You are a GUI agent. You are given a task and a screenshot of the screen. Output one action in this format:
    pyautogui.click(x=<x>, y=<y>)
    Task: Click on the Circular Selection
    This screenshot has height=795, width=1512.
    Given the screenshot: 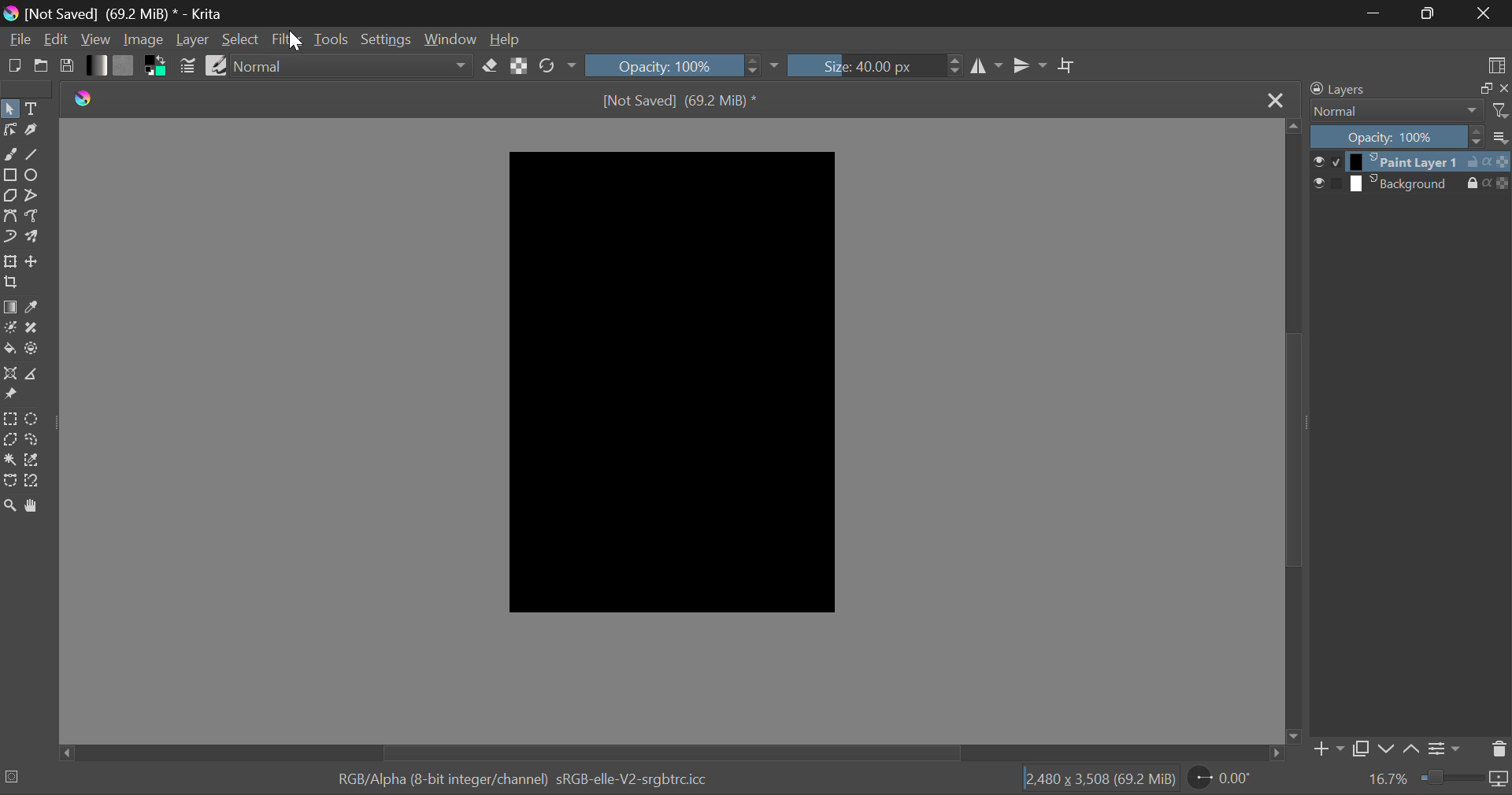 What is the action you would take?
    pyautogui.click(x=35, y=419)
    